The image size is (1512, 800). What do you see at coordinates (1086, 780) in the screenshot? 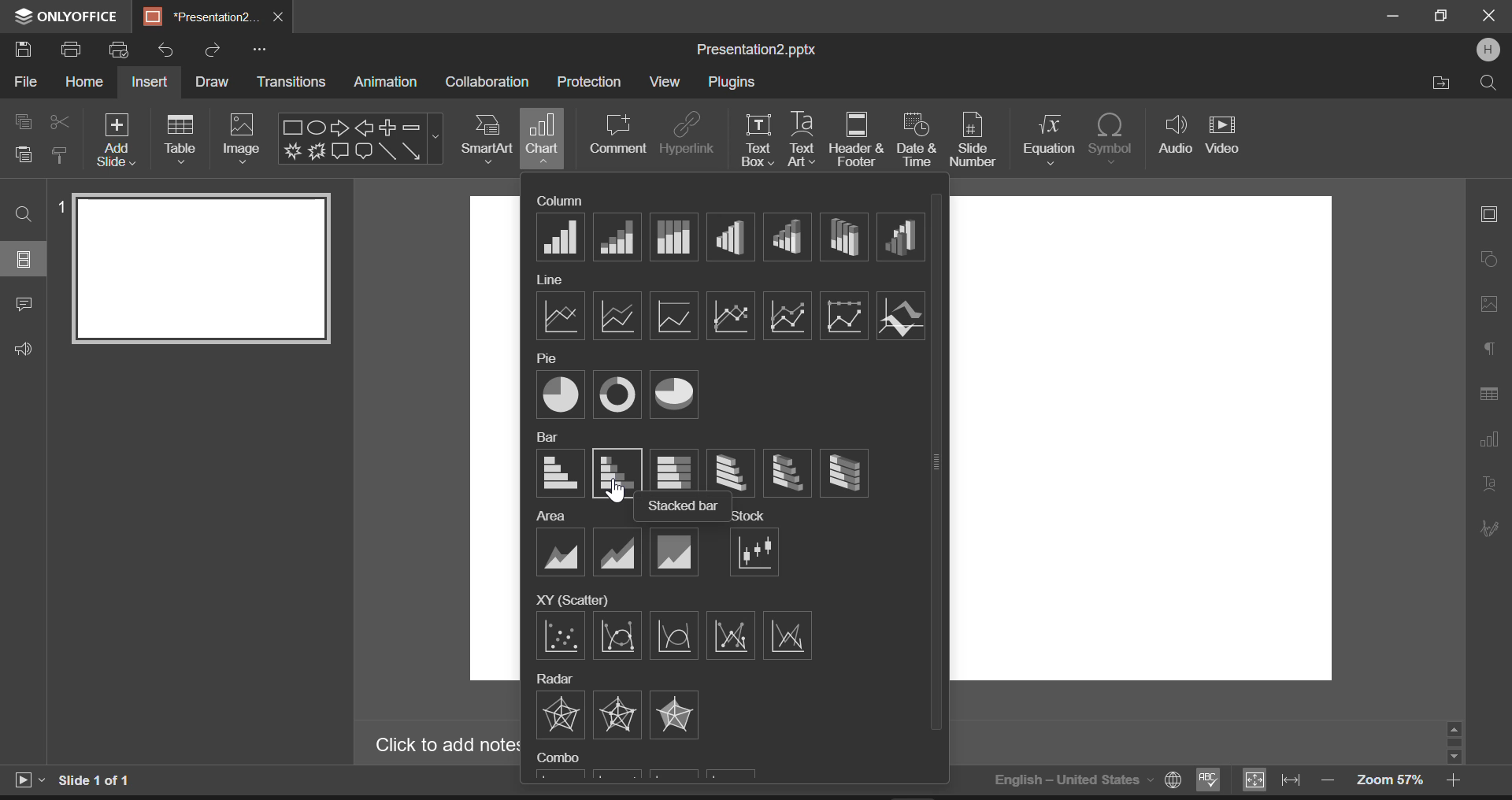
I see `English-United States` at bounding box center [1086, 780].